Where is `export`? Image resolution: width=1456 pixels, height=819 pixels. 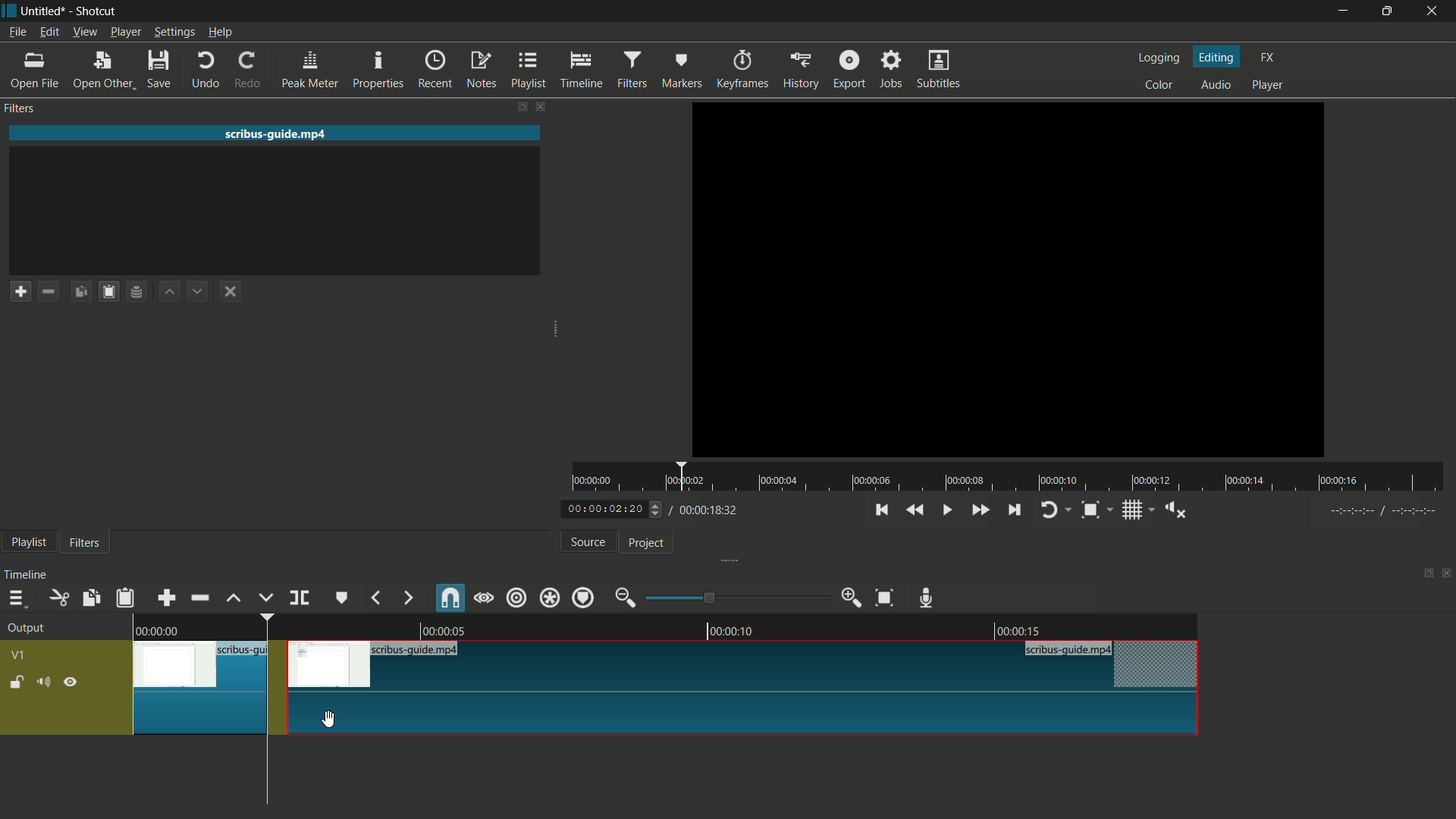
export is located at coordinates (849, 71).